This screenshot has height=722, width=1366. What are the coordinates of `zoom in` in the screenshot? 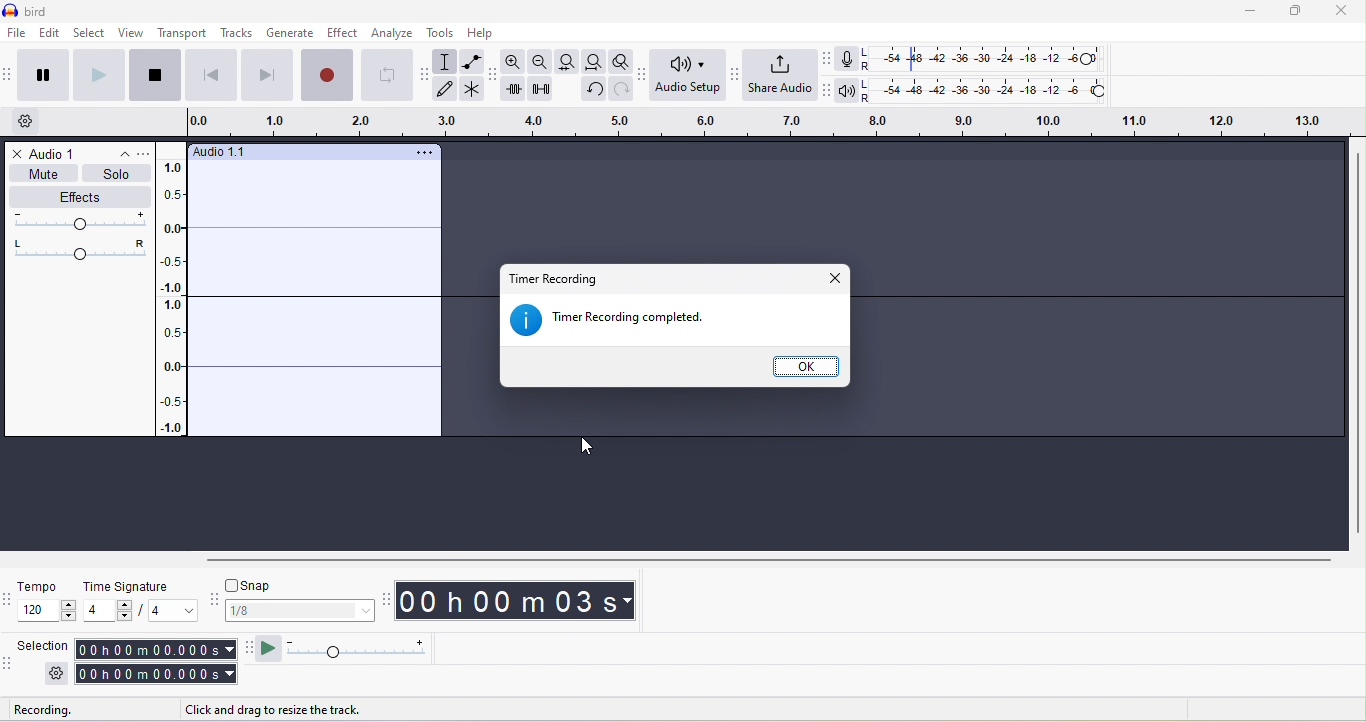 It's located at (517, 61).